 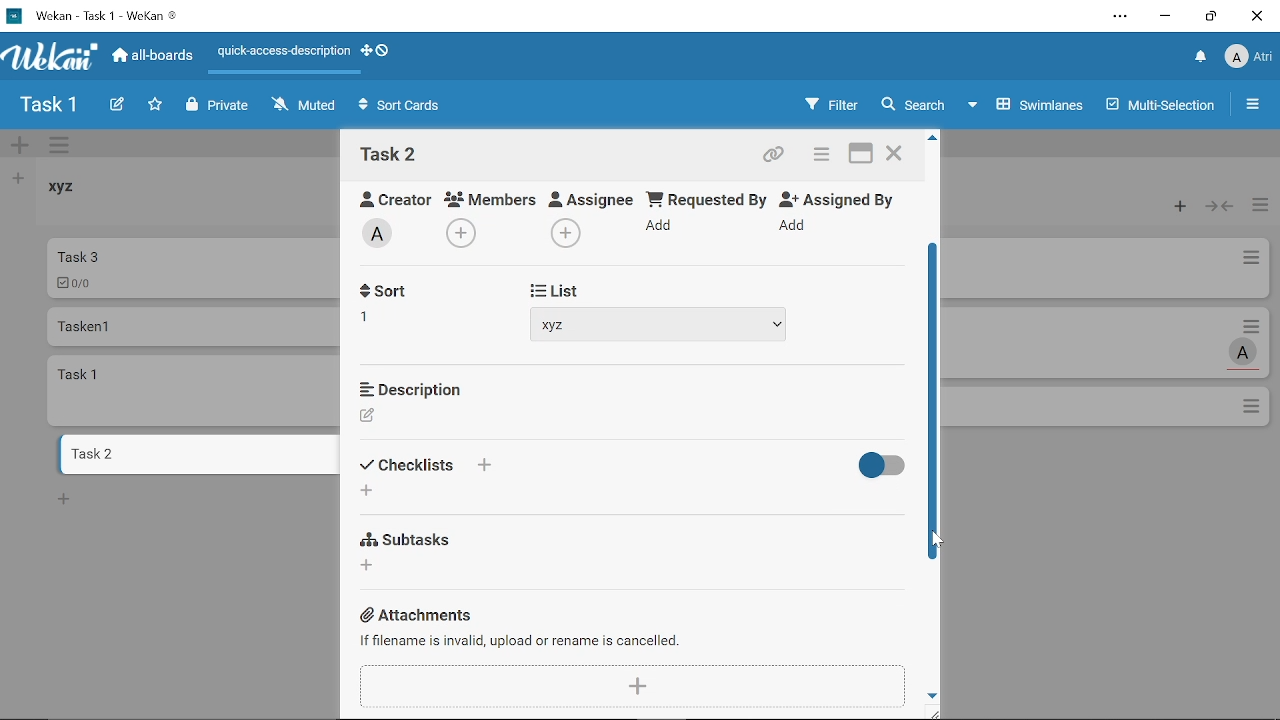 What do you see at coordinates (365, 51) in the screenshot?
I see `Show desktop drag handles` at bounding box center [365, 51].